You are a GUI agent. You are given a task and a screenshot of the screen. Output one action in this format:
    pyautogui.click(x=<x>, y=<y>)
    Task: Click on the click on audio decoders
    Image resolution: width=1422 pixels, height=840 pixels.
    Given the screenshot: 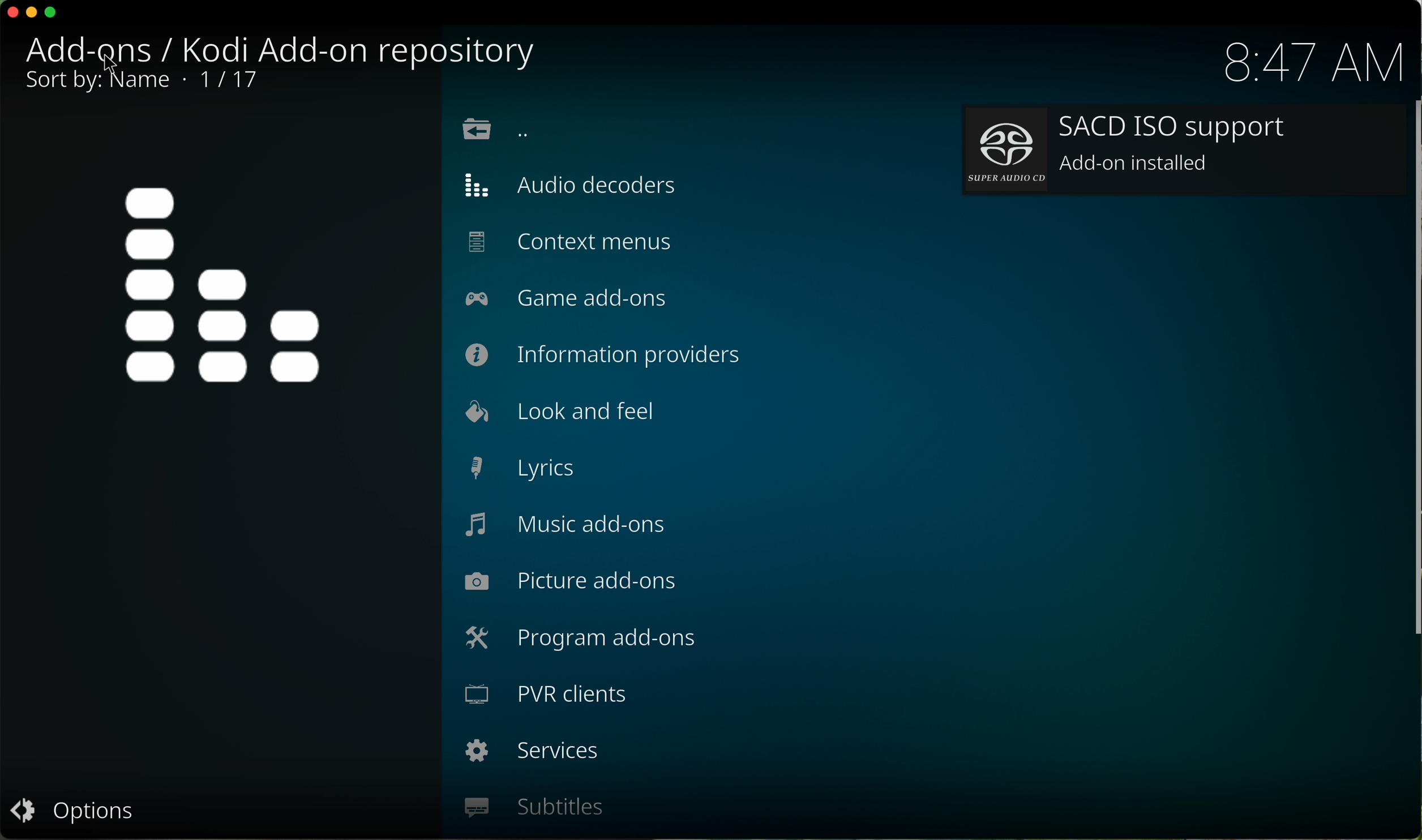 What is the action you would take?
    pyautogui.click(x=584, y=184)
    